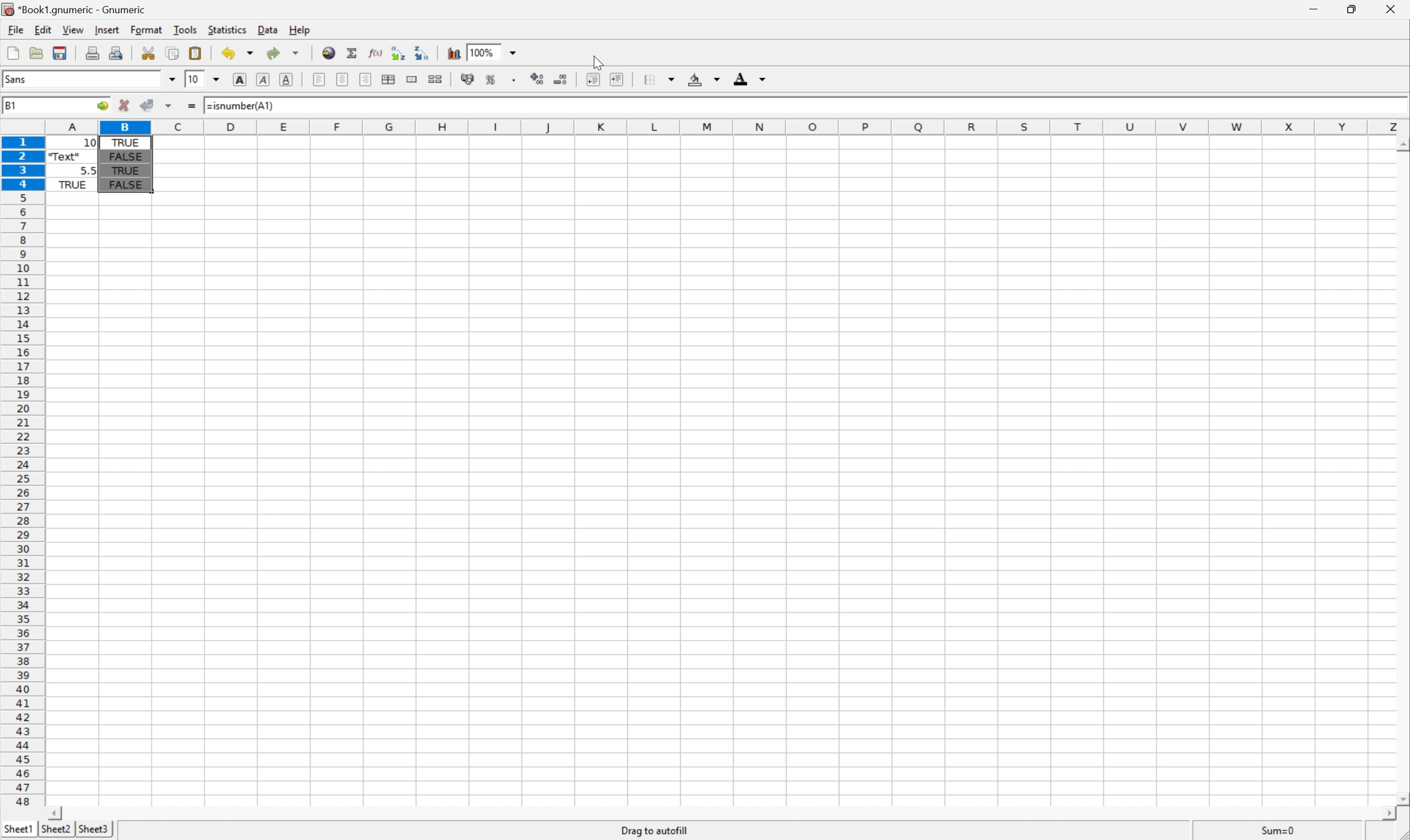  What do you see at coordinates (147, 142) in the screenshot?
I see `=ISNUMBER(A1)` at bounding box center [147, 142].